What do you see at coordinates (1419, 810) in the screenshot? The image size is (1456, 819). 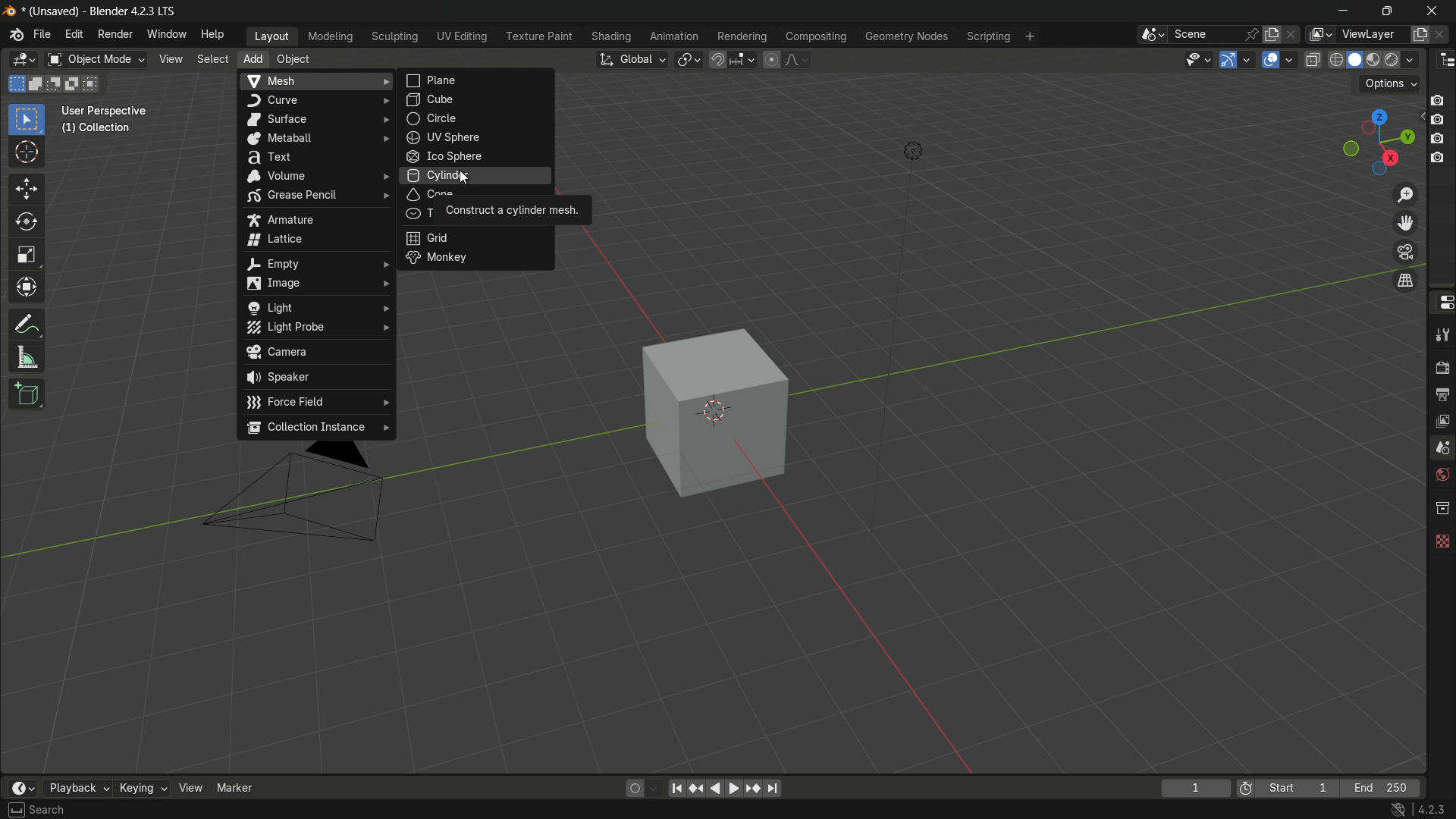 I see `4.2.3 lts` at bounding box center [1419, 810].